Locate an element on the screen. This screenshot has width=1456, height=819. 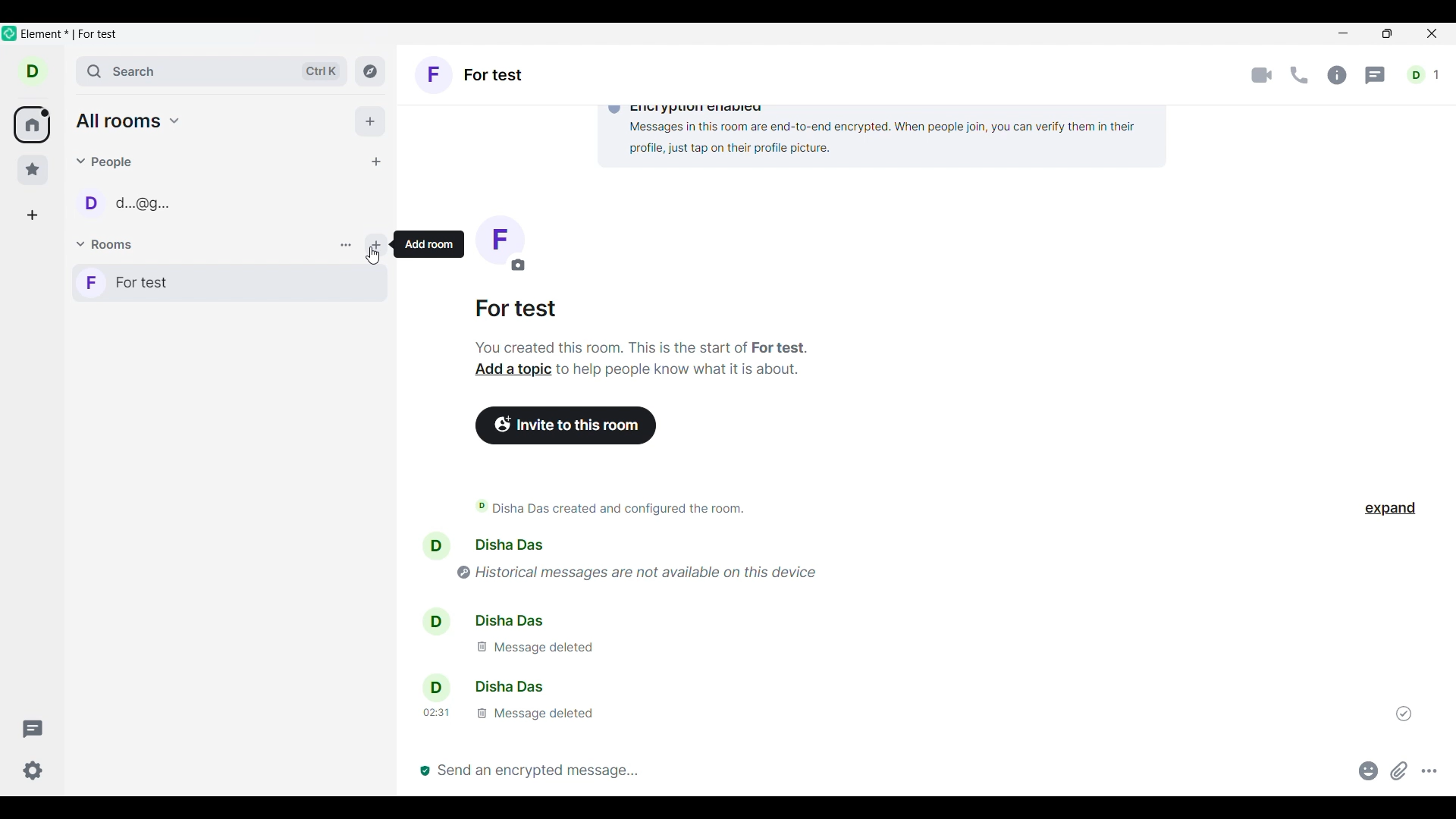
element logo is located at coordinates (9, 33).